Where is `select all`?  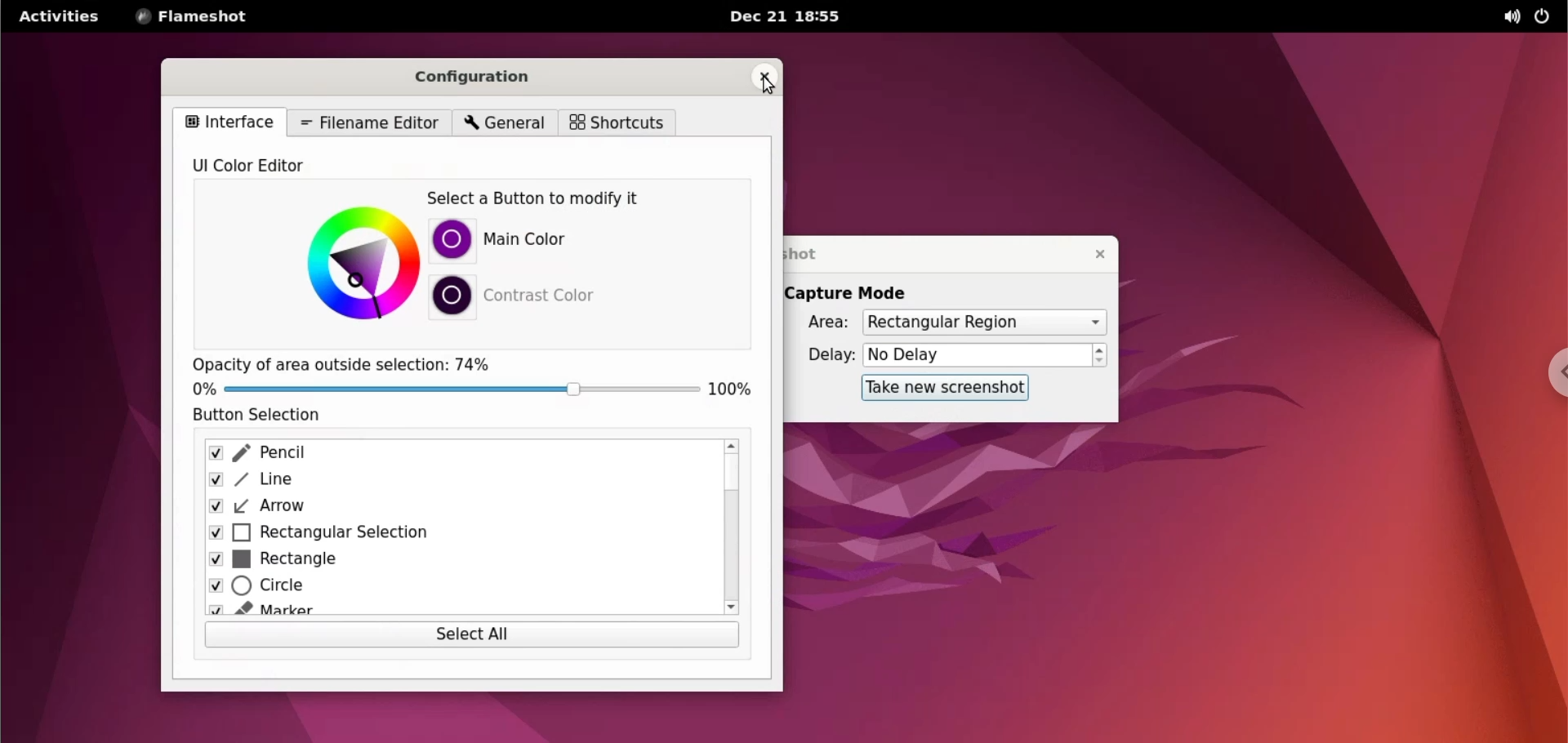
select all is located at coordinates (471, 636).